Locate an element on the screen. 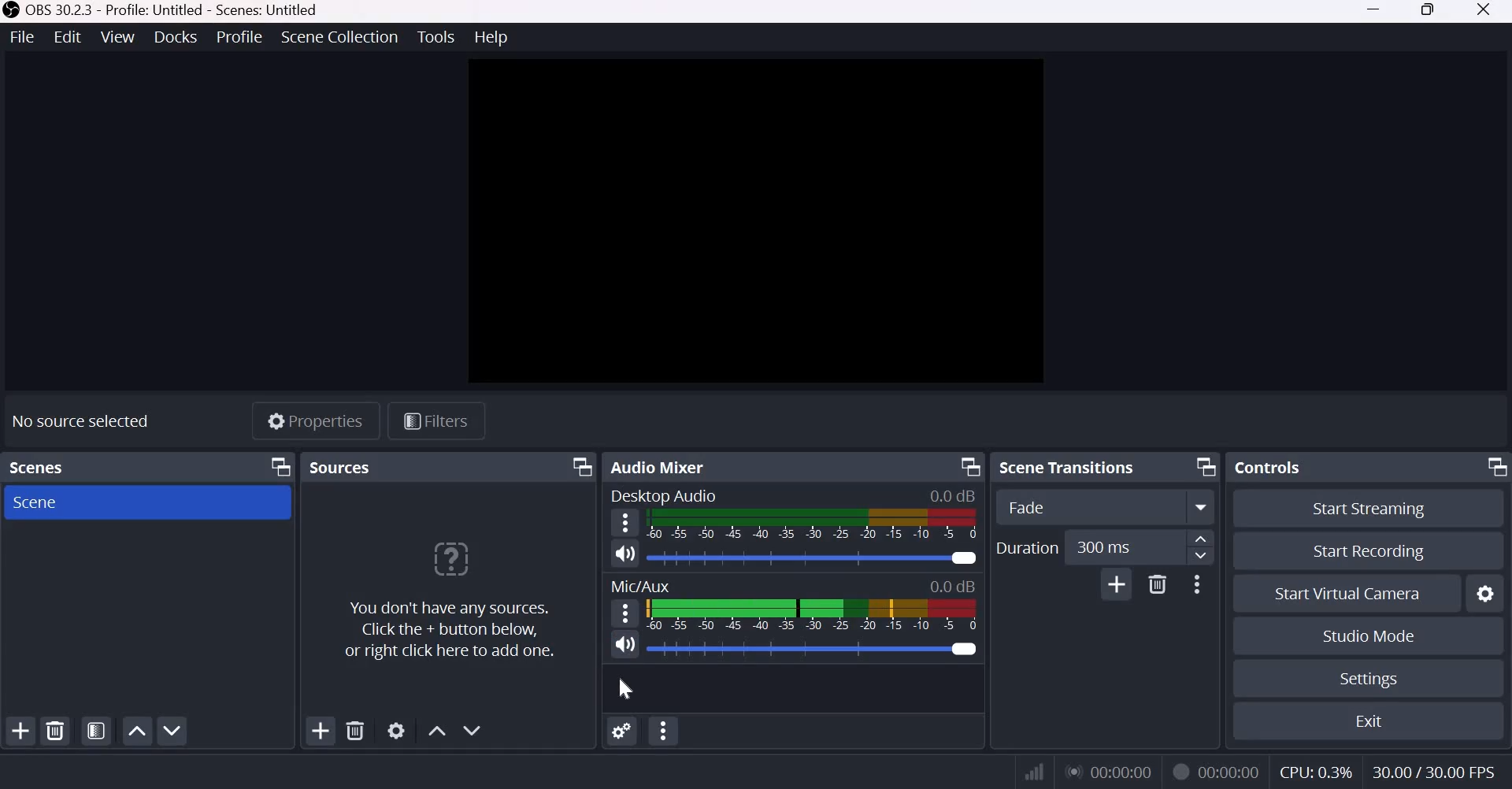 This screenshot has width=1512, height=789. Tools is located at coordinates (436, 36).